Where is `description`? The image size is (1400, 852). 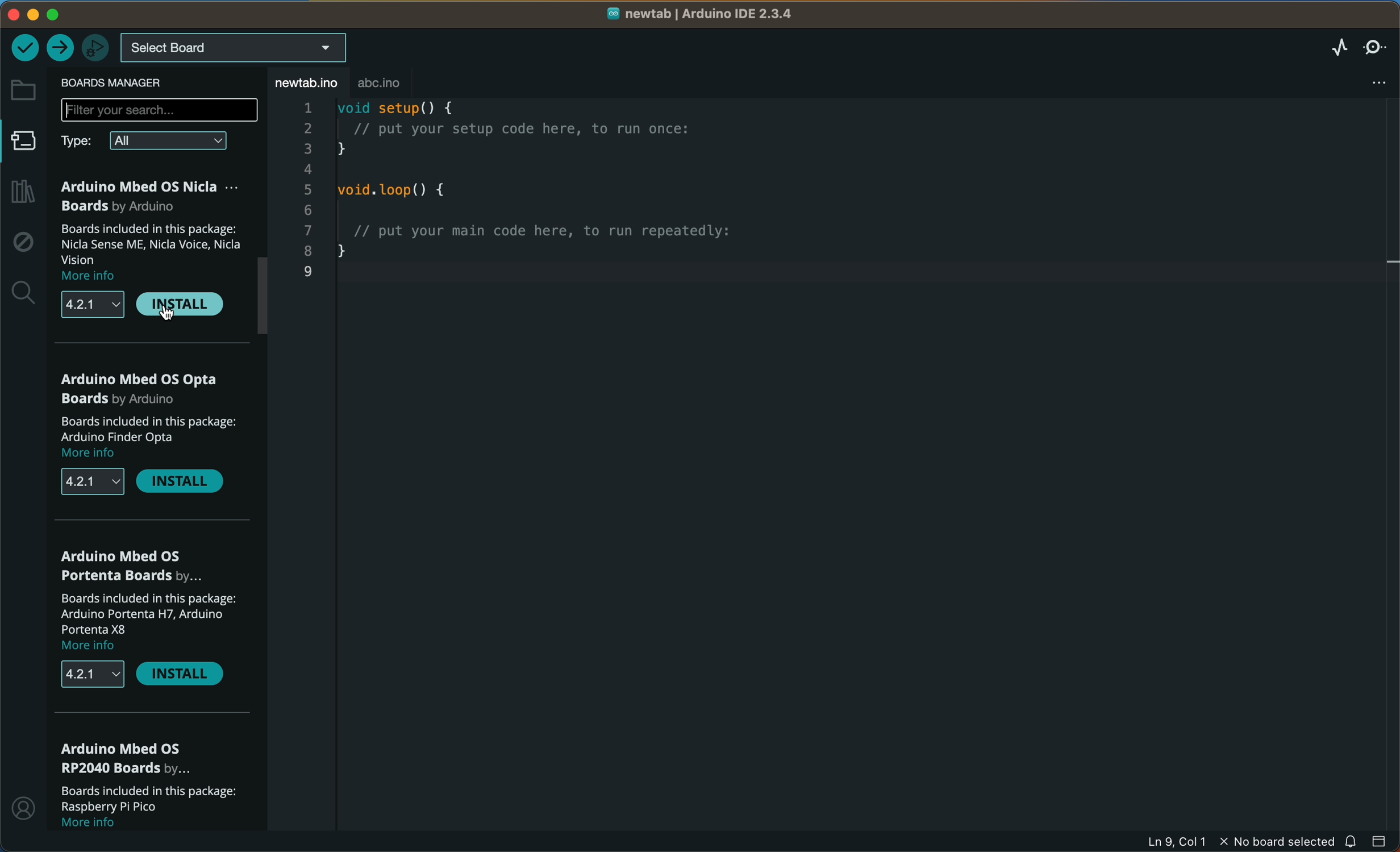 description is located at coordinates (149, 429).